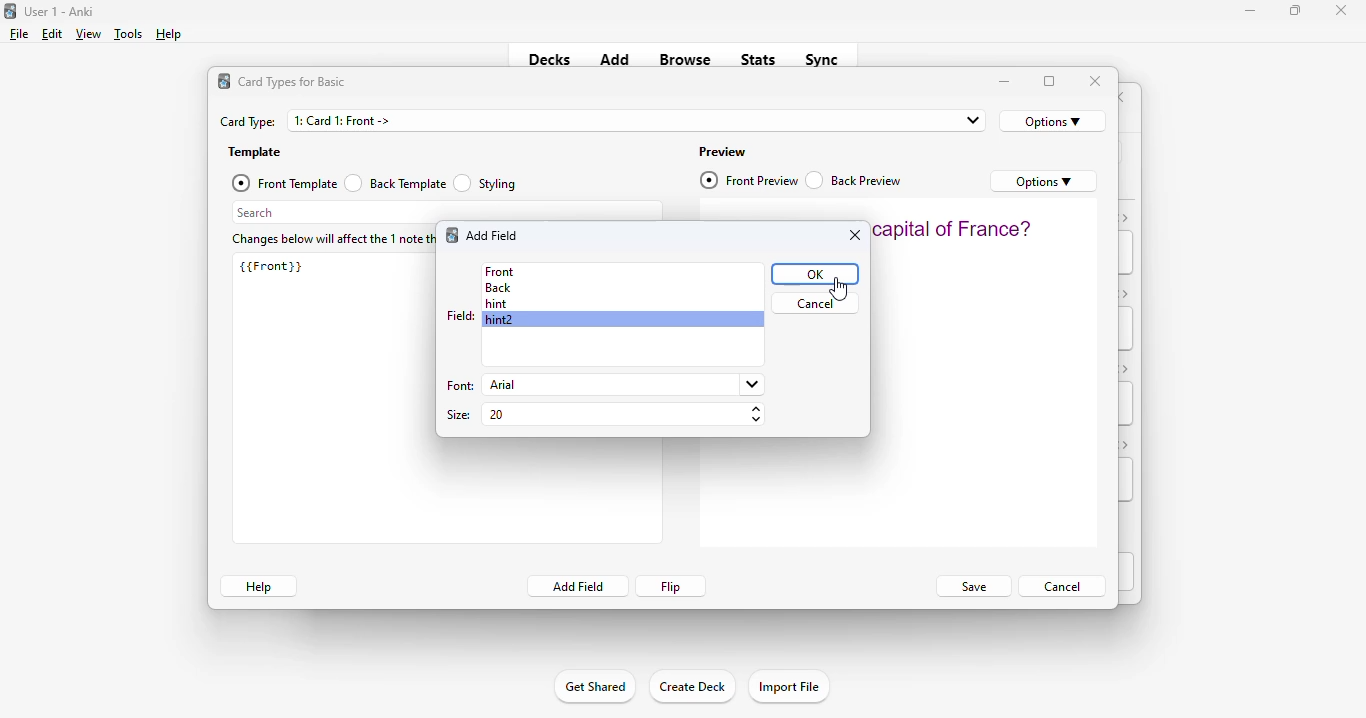 Image resolution: width=1366 pixels, height=718 pixels. Describe the element at coordinates (19, 34) in the screenshot. I see `file` at that location.